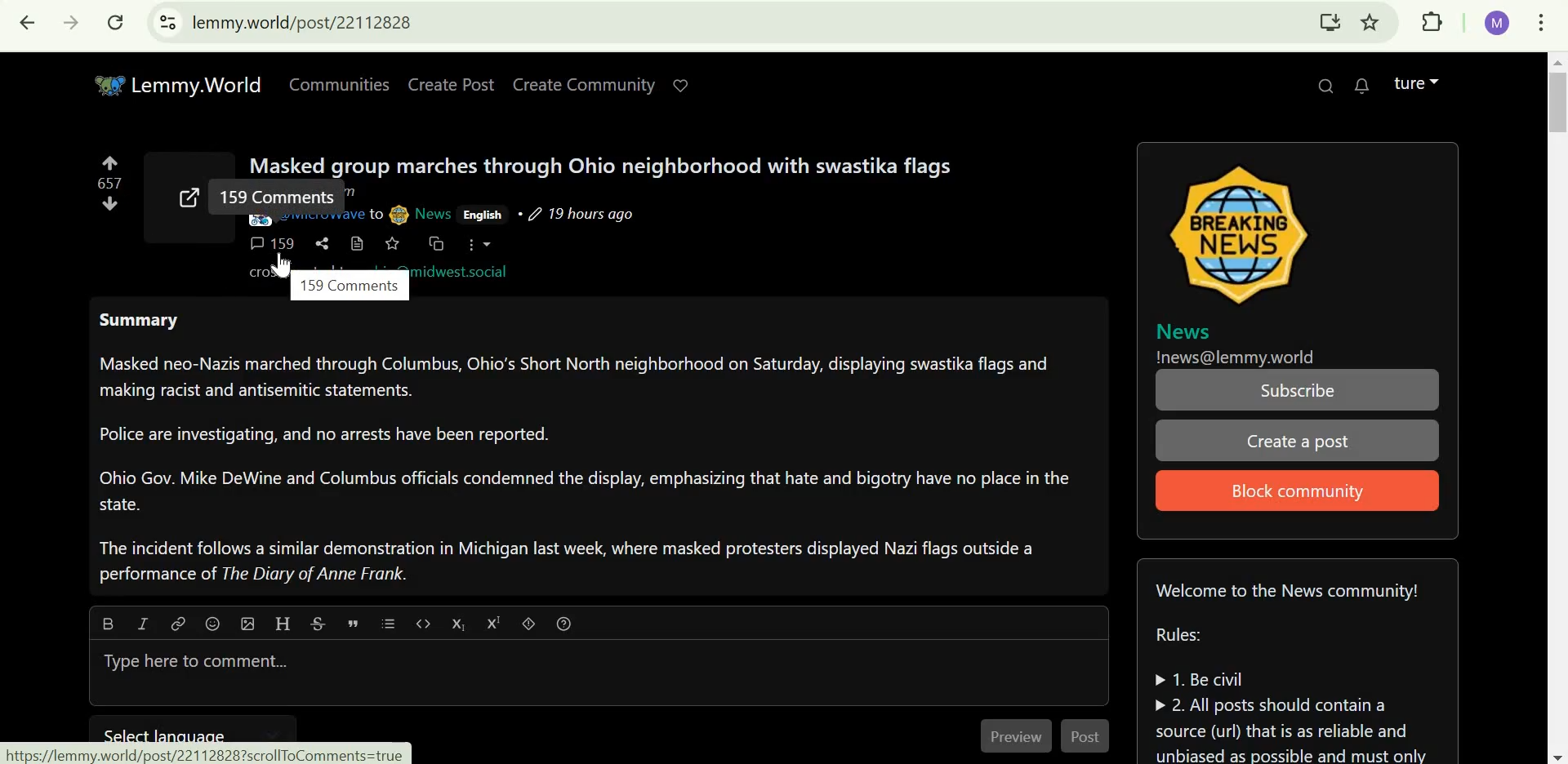  Describe the element at coordinates (394, 244) in the screenshot. I see `save` at that location.